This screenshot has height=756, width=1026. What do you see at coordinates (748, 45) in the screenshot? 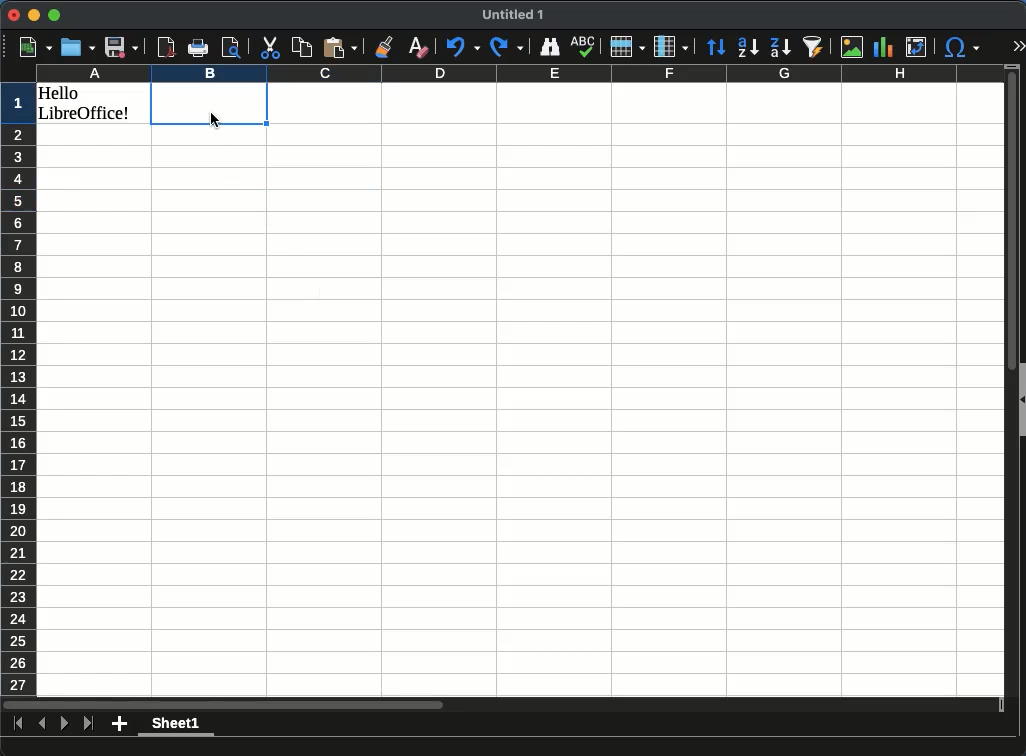
I see `ascending` at bounding box center [748, 45].